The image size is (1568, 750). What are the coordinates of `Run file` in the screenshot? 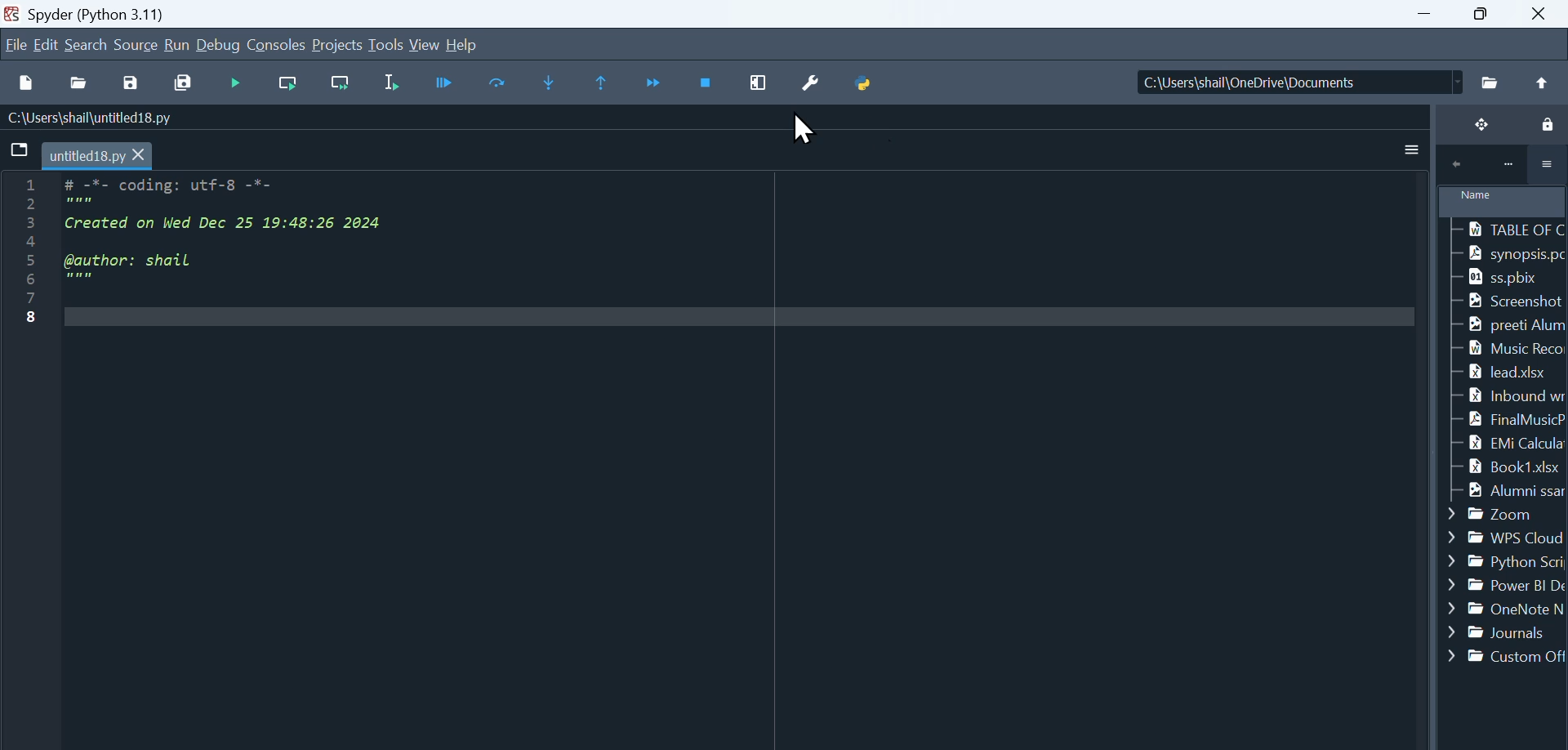 It's located at (238, 83).